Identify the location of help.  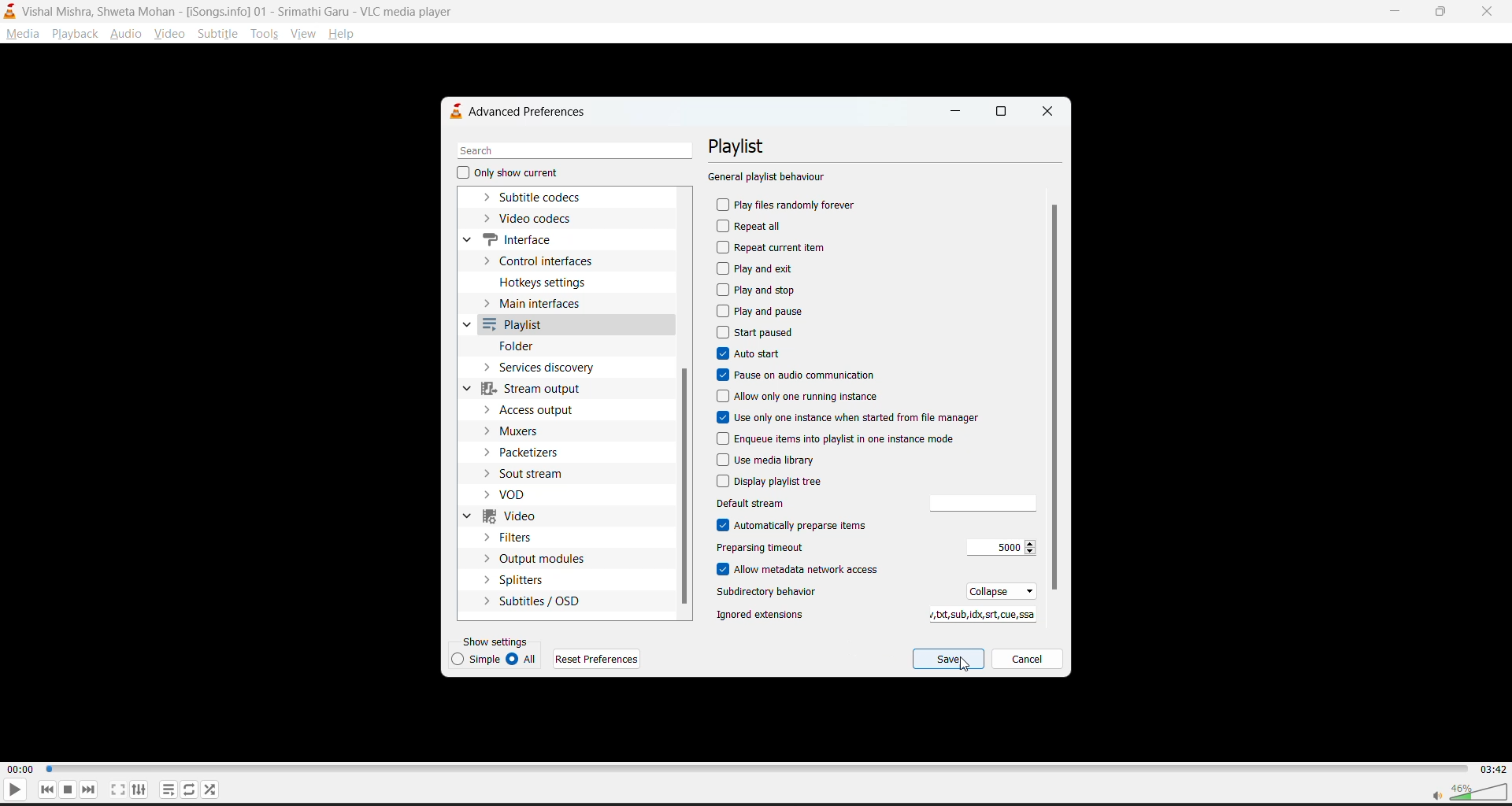
(346, 34).